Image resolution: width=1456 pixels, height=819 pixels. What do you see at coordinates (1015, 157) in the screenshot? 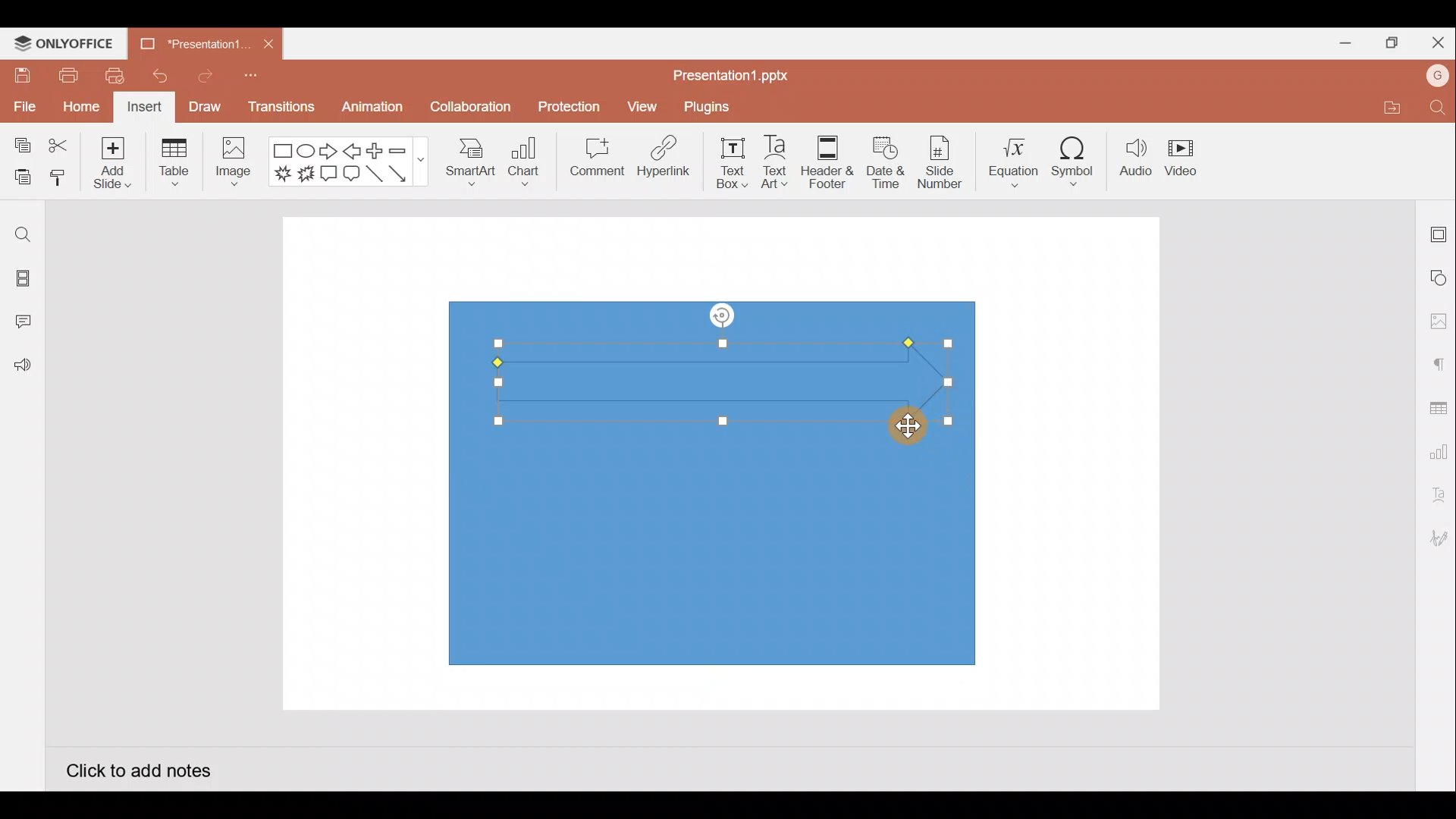
I see `Equation` at bounding box center [1015, 157].